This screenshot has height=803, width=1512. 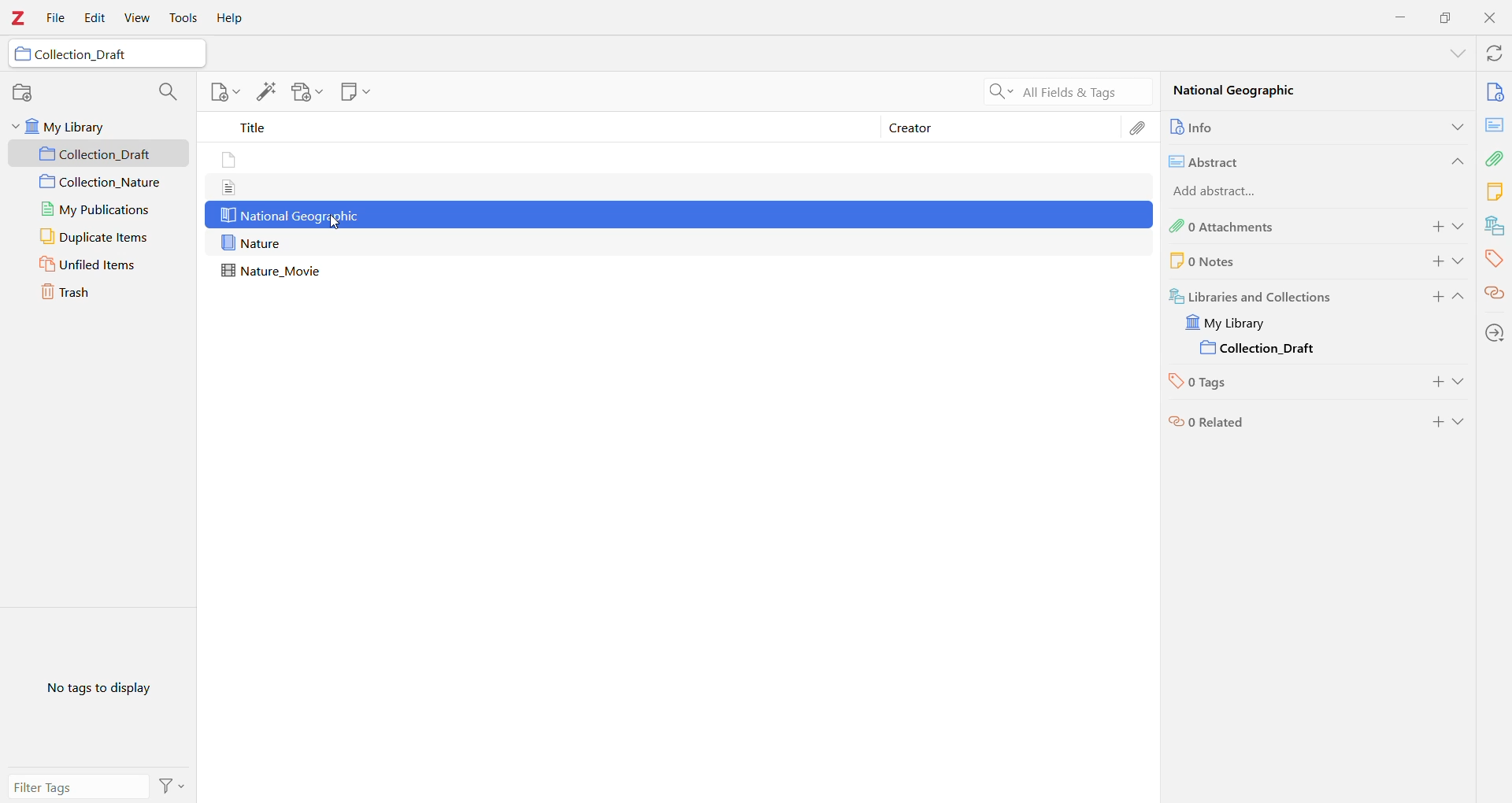 I want to click on National Geographic, so click(x=290, y=216).